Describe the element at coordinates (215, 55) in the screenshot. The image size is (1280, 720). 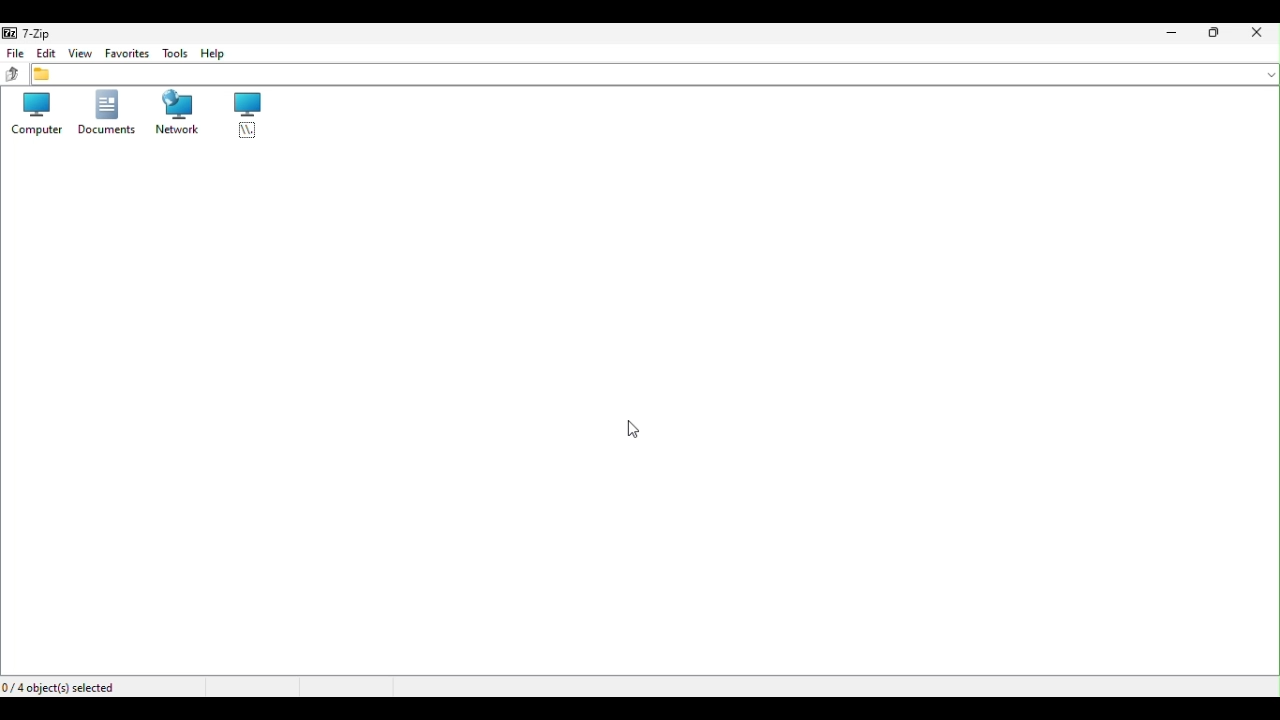
I see `help` at that location.